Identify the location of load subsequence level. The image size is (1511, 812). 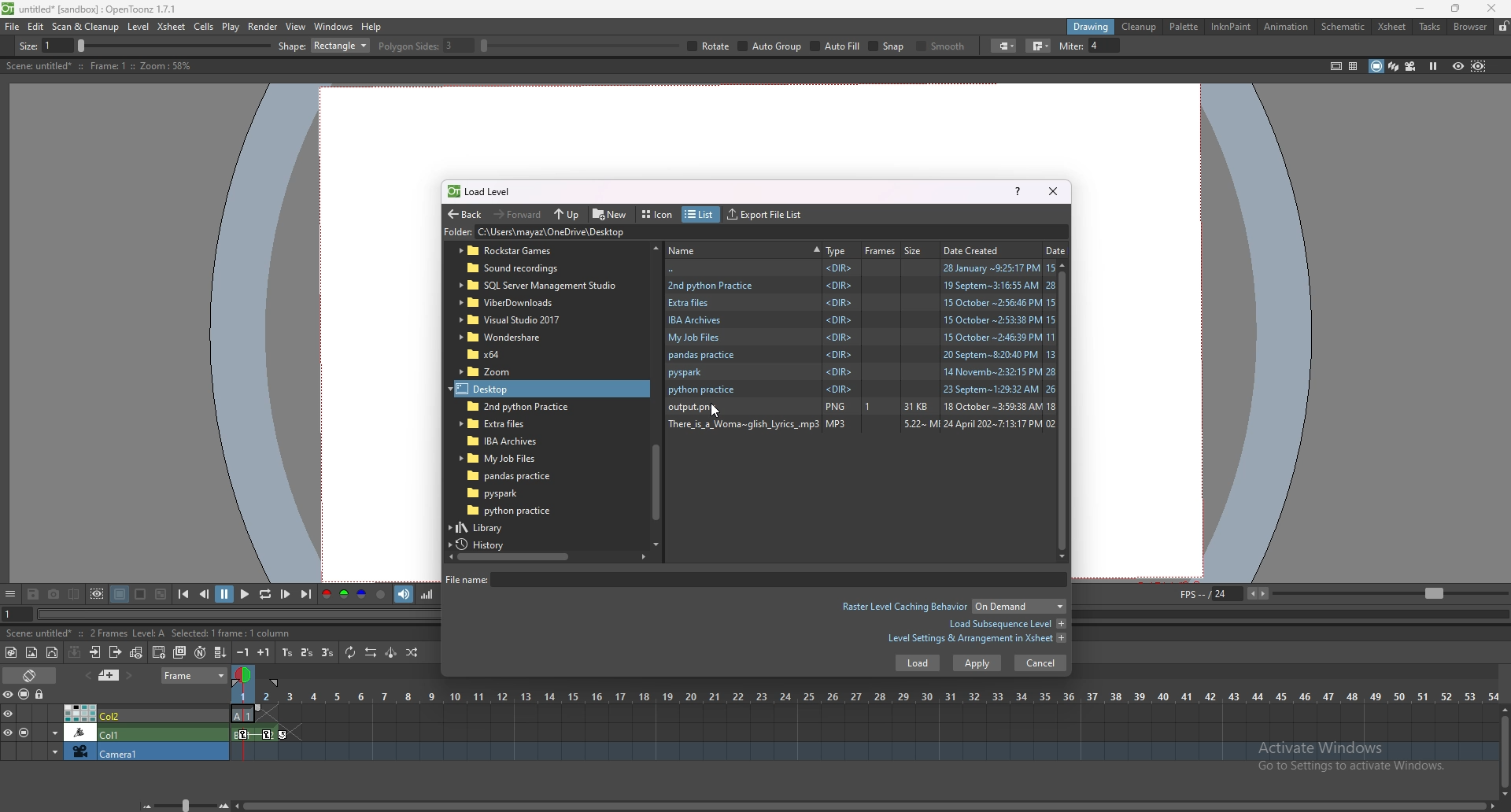
(1007, 624).